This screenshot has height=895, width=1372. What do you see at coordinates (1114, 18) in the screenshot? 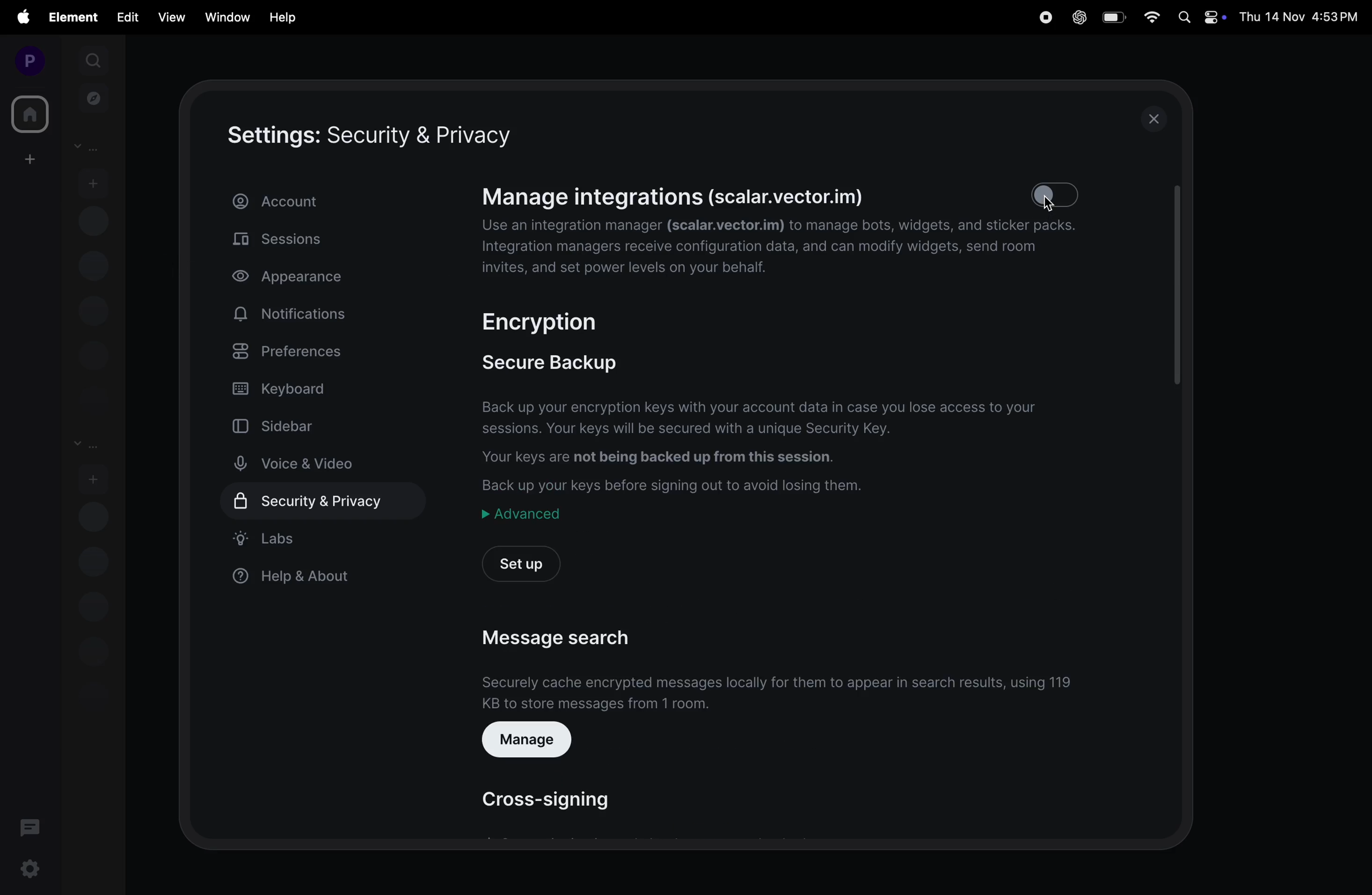
I see `battery` at bounding box center [1114, 18].